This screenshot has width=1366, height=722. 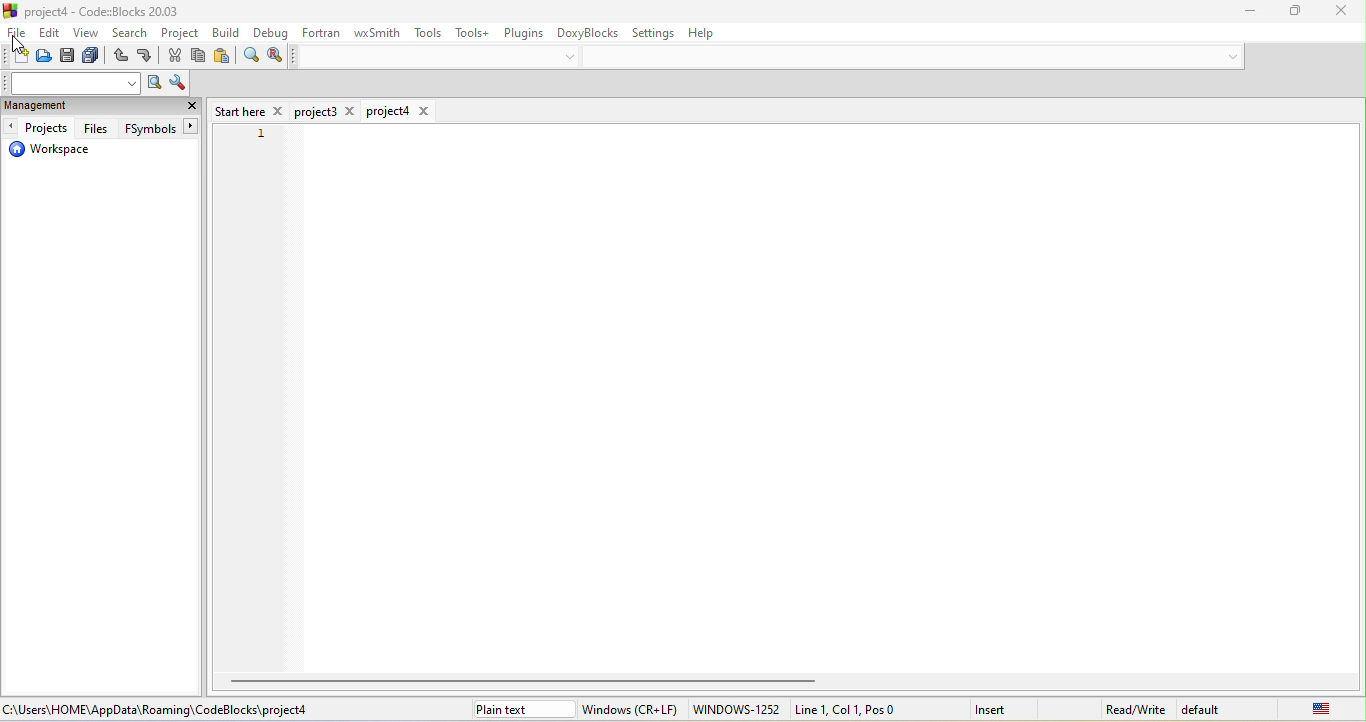 What do you see at coordinates (24, 44) in the screenshot?
I see `cursor` at bounding box center [24, 44].